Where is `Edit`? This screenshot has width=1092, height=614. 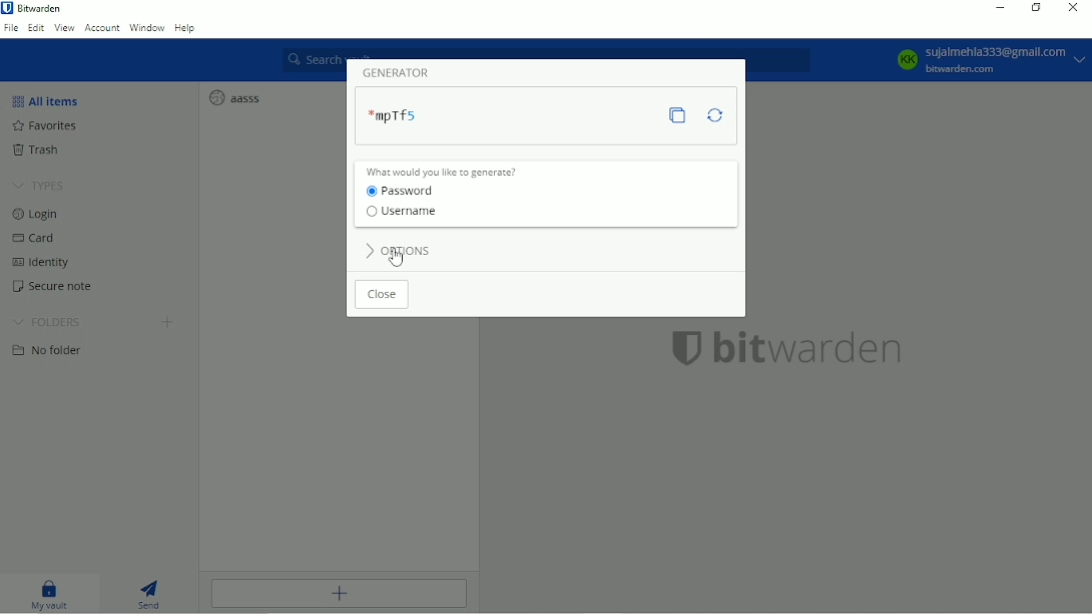
Edit is located at coordinates (36, 27).